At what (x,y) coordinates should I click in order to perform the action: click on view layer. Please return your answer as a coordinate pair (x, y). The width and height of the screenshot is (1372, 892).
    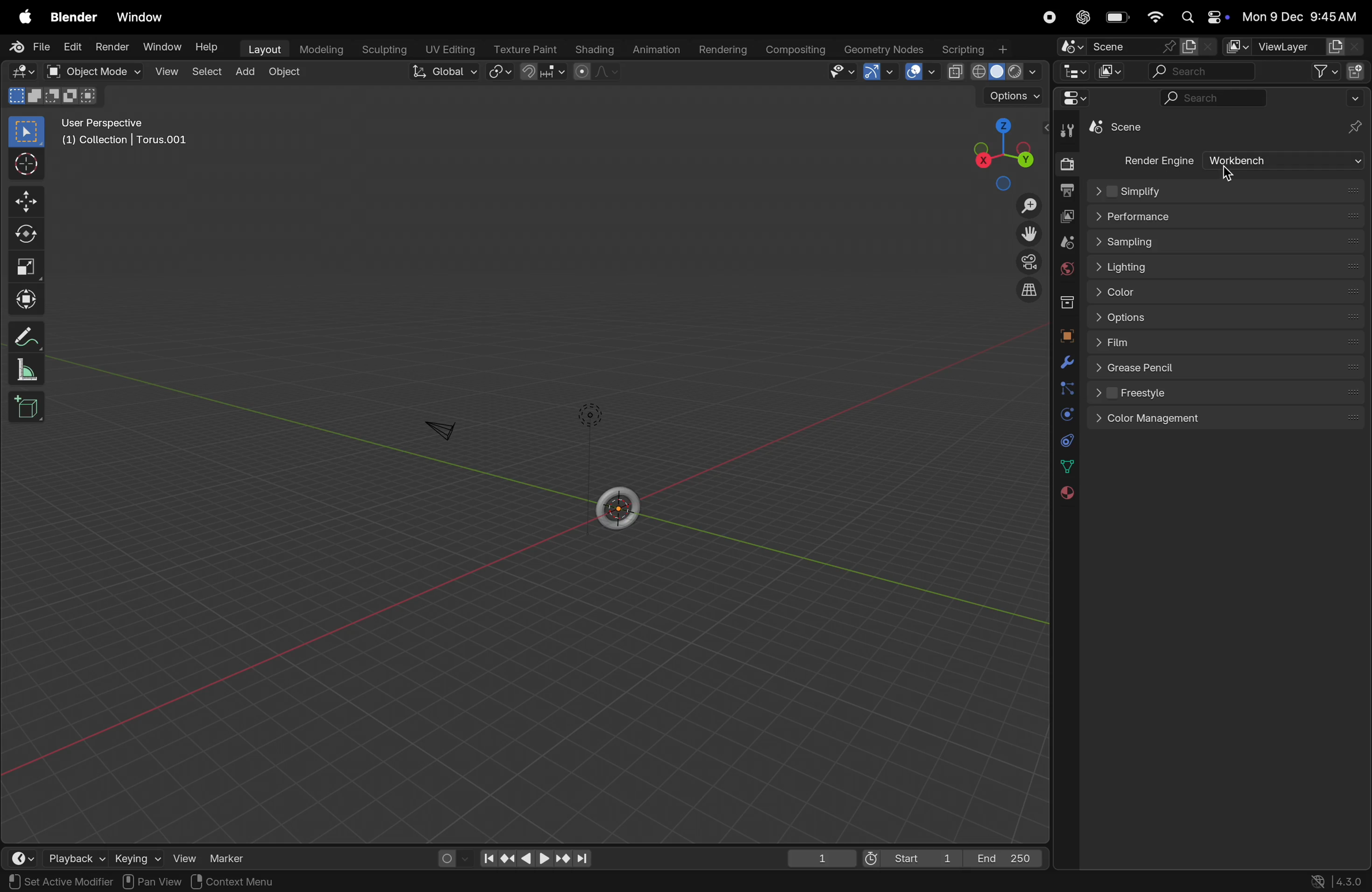
    Looking at the image, I should click on (1294, 46).